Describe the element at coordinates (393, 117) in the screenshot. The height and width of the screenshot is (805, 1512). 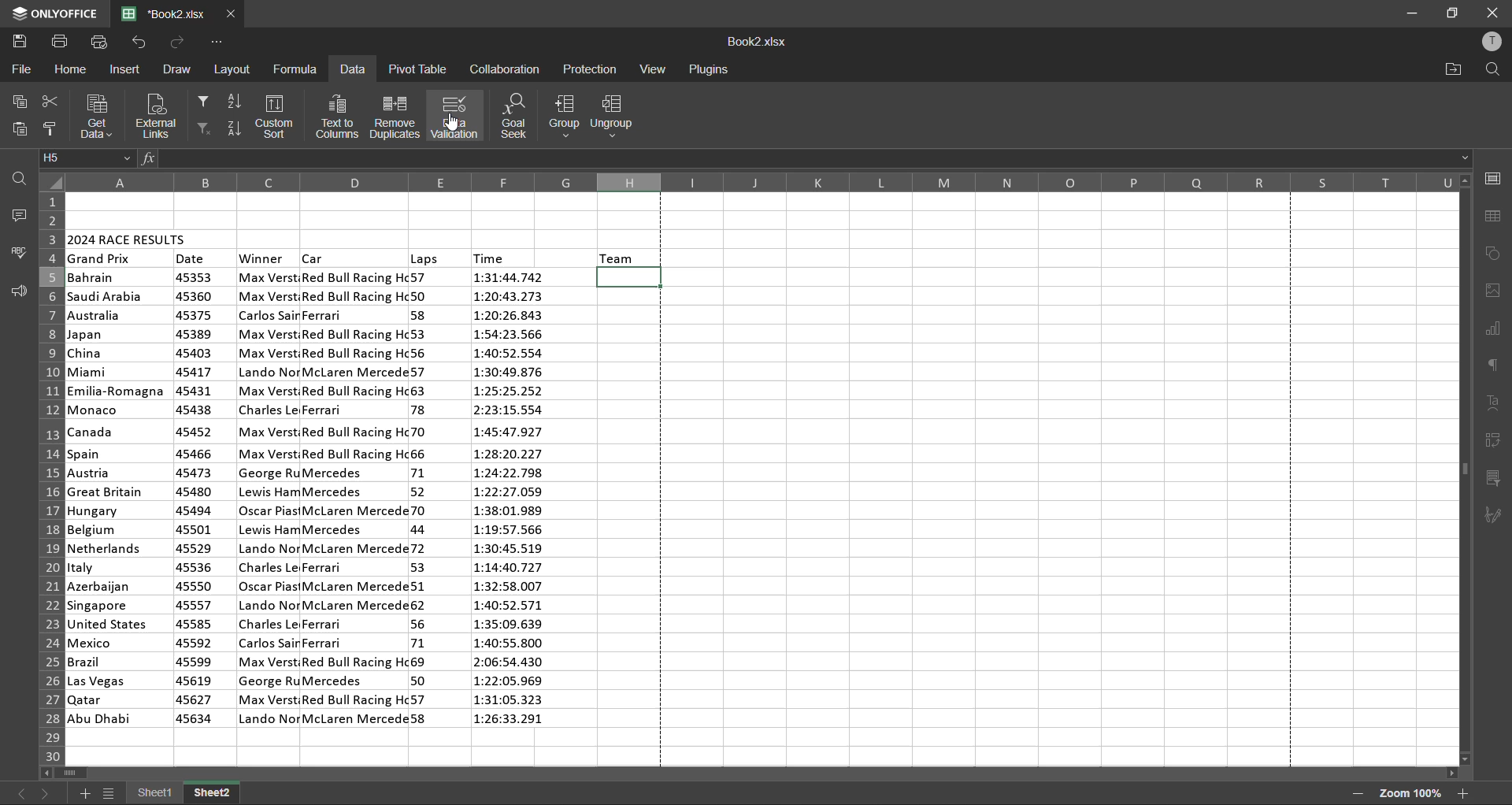
I see `remove duplicates` at that location.